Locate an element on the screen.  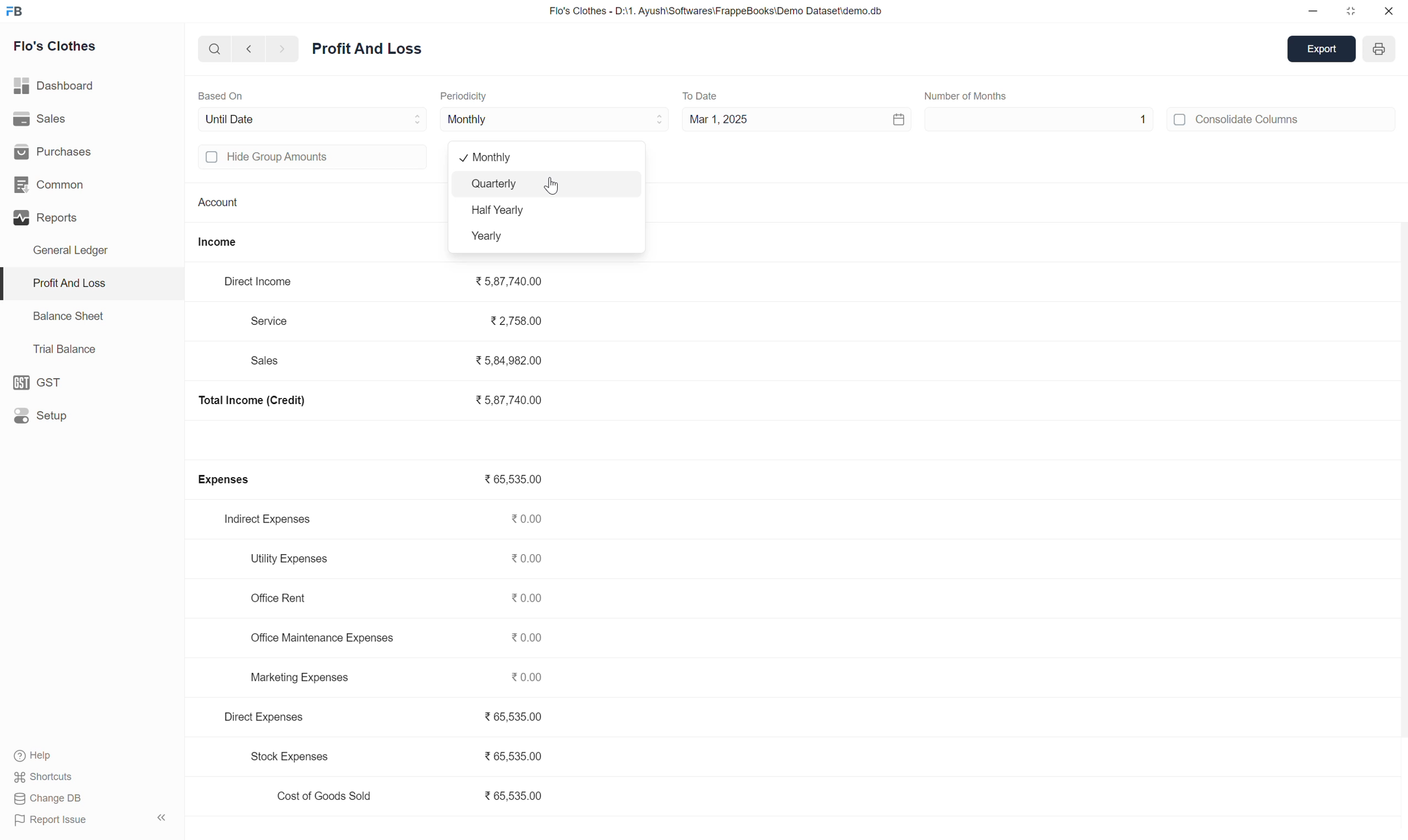
1 is located at coordinates (1048, 121).